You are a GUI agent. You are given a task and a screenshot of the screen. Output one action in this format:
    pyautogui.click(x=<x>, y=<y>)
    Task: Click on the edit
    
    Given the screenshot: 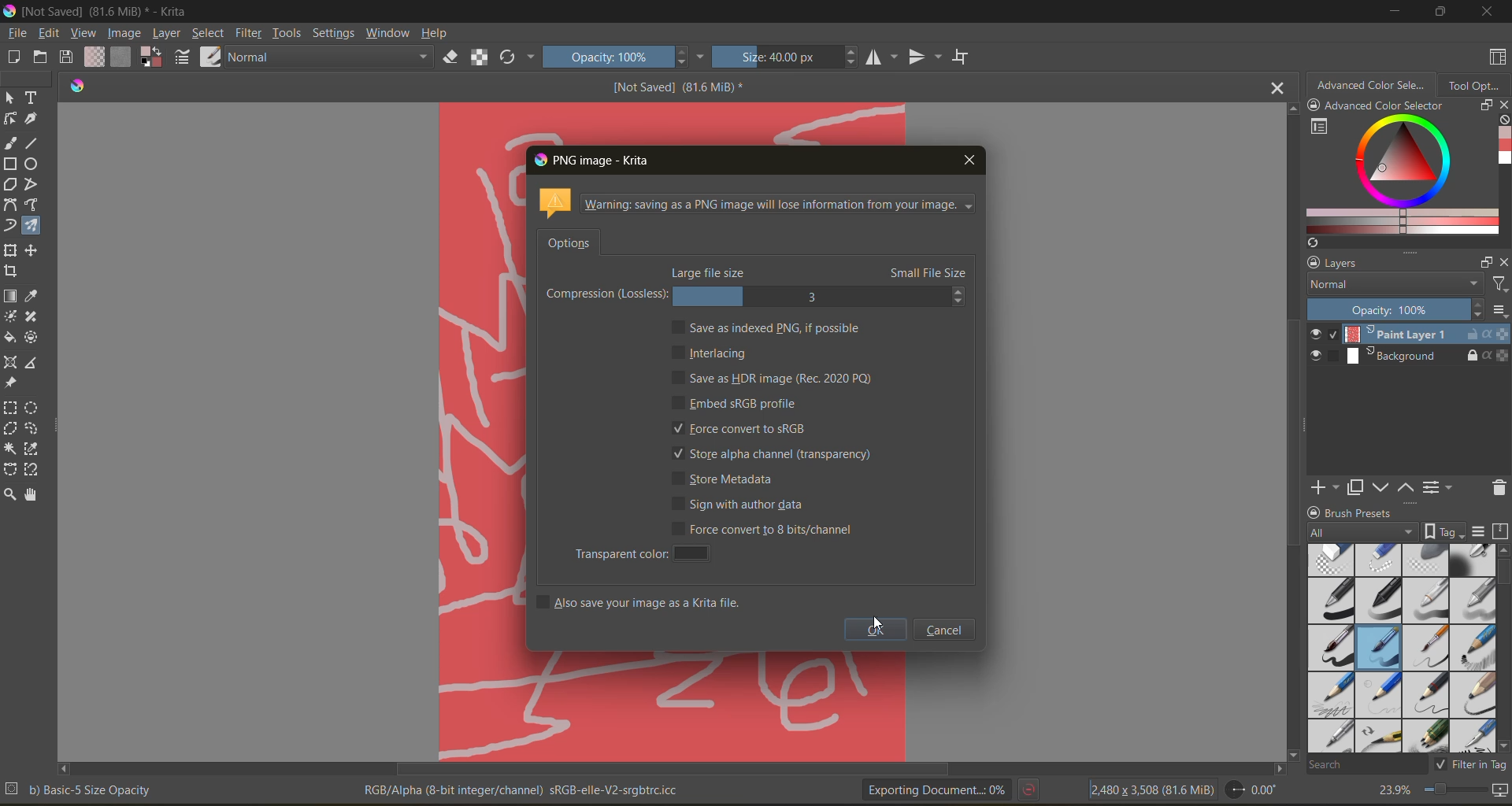 What is the action you would take?
    pyautogui.click(x=50, y=35)
    